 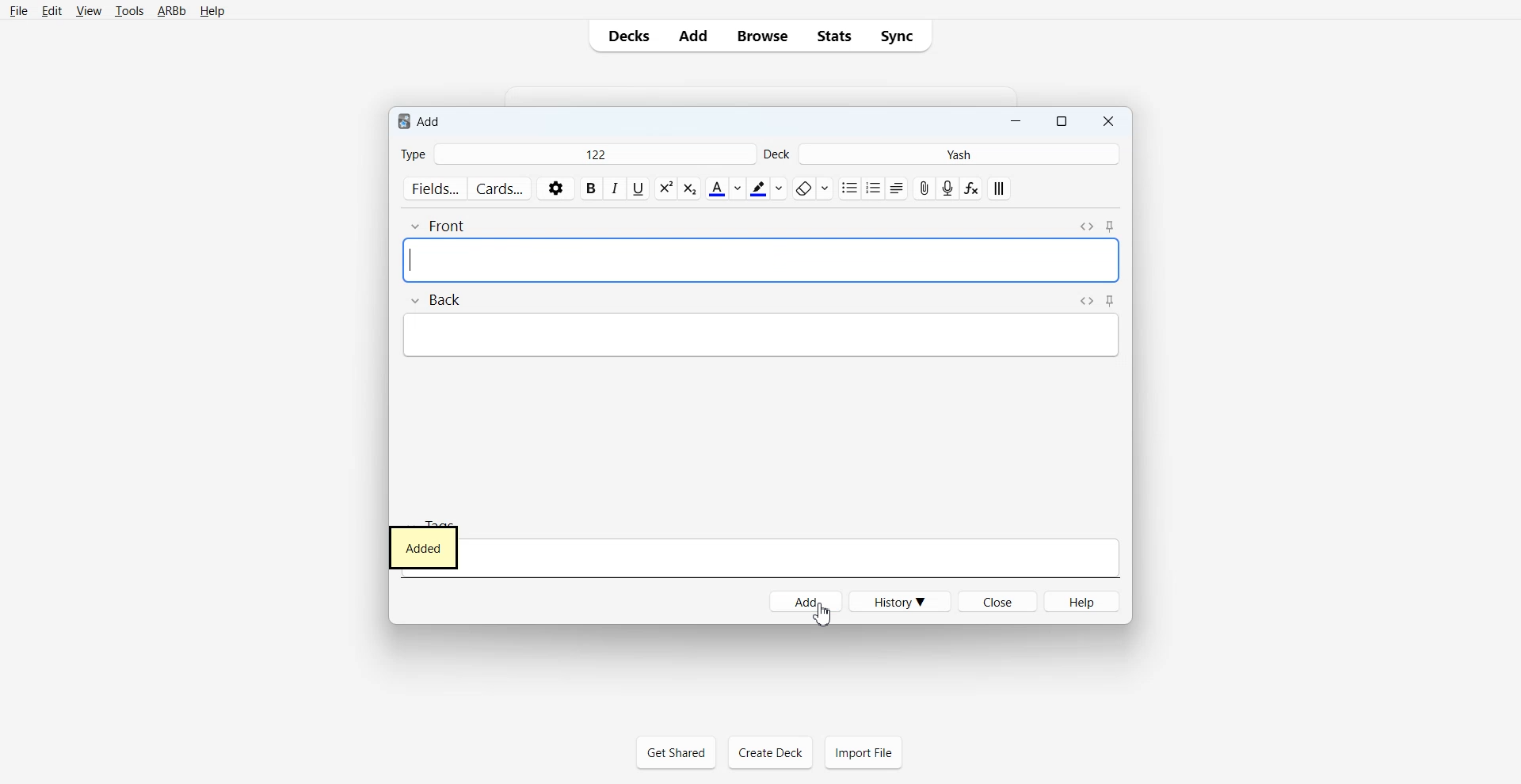 I want to click on ARBb, so click(x=170, y=10).